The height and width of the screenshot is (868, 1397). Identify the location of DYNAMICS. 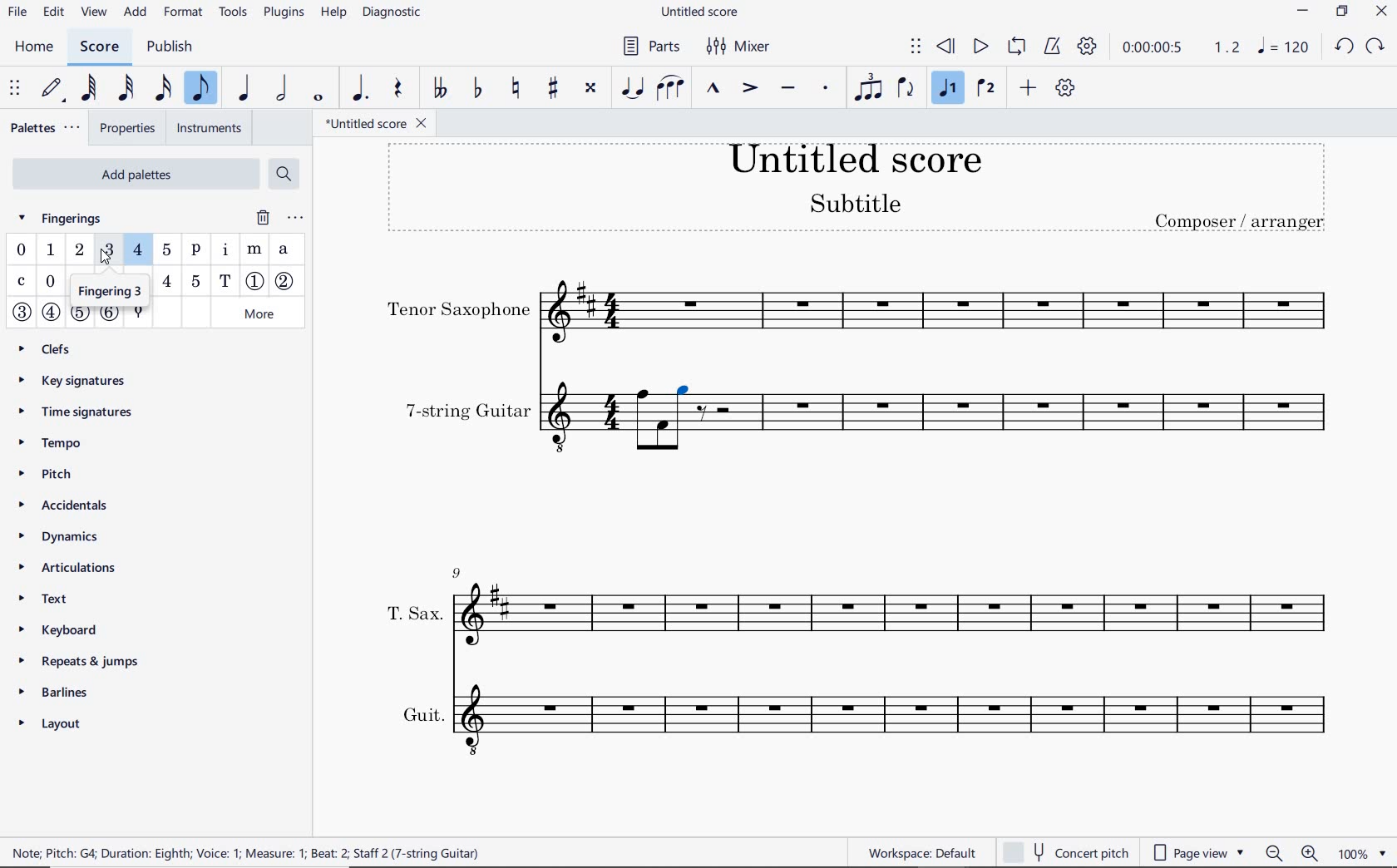
(67, 538).